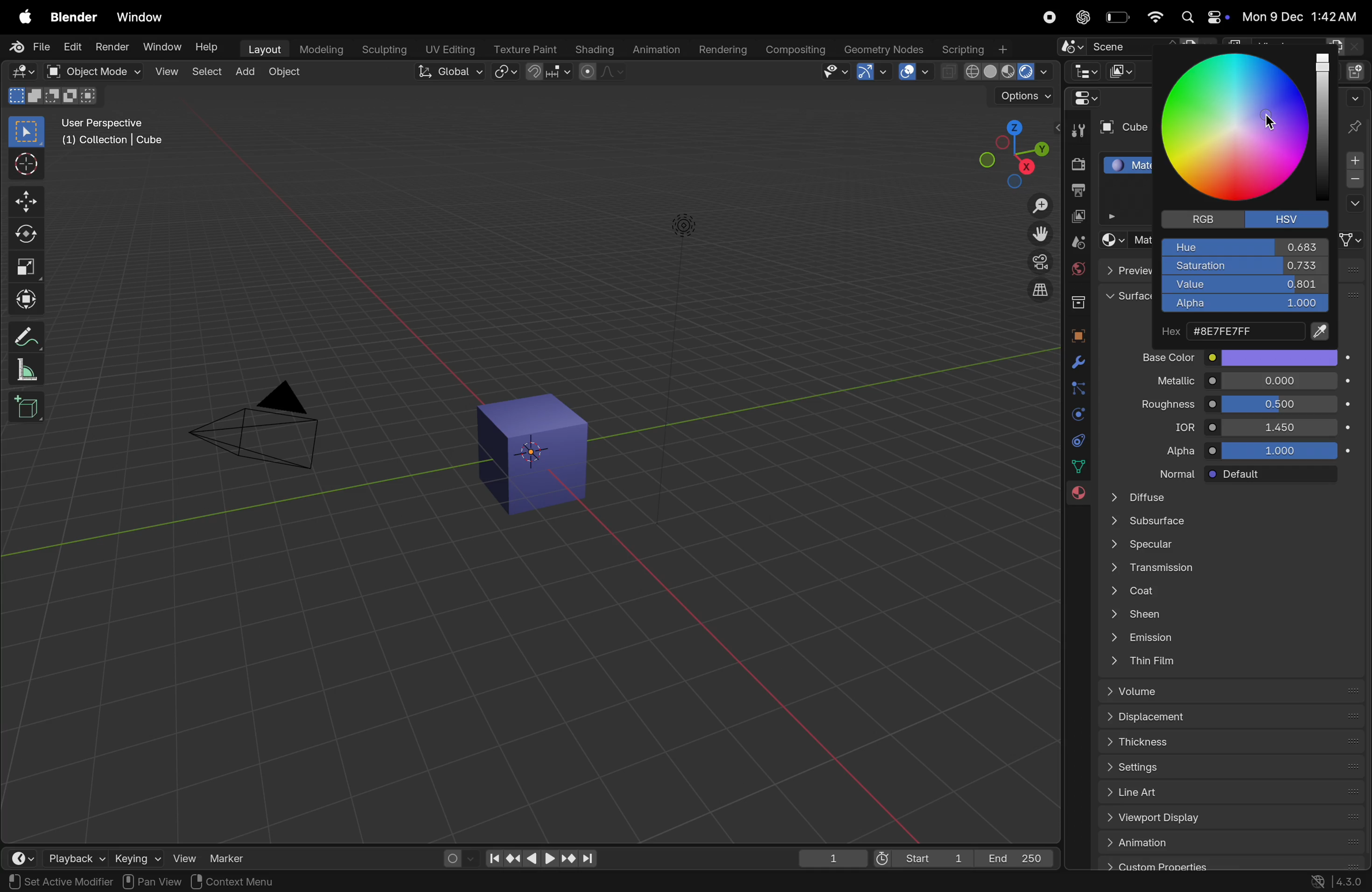  What do you see at coordinates (975, 48) in the screenshot?
I see `scripting` at bounding box center [975, 48].